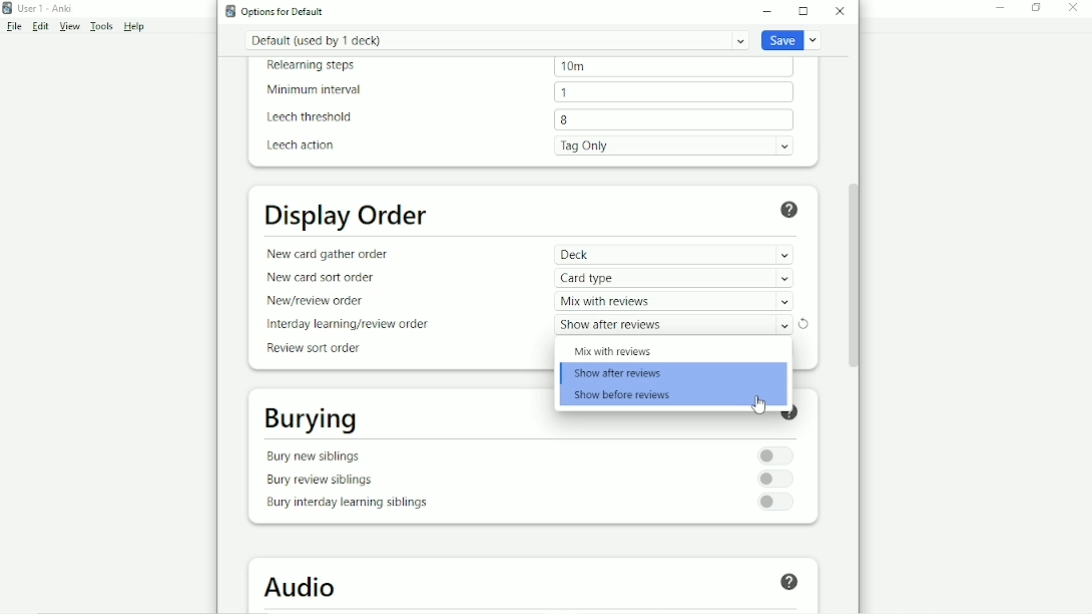 The width and height of the screenshot is (1092, 614). What do you see at coordinates (613, 351) in the screenshot?
I see `Mix with reviews` at bounding box center [613, 351].